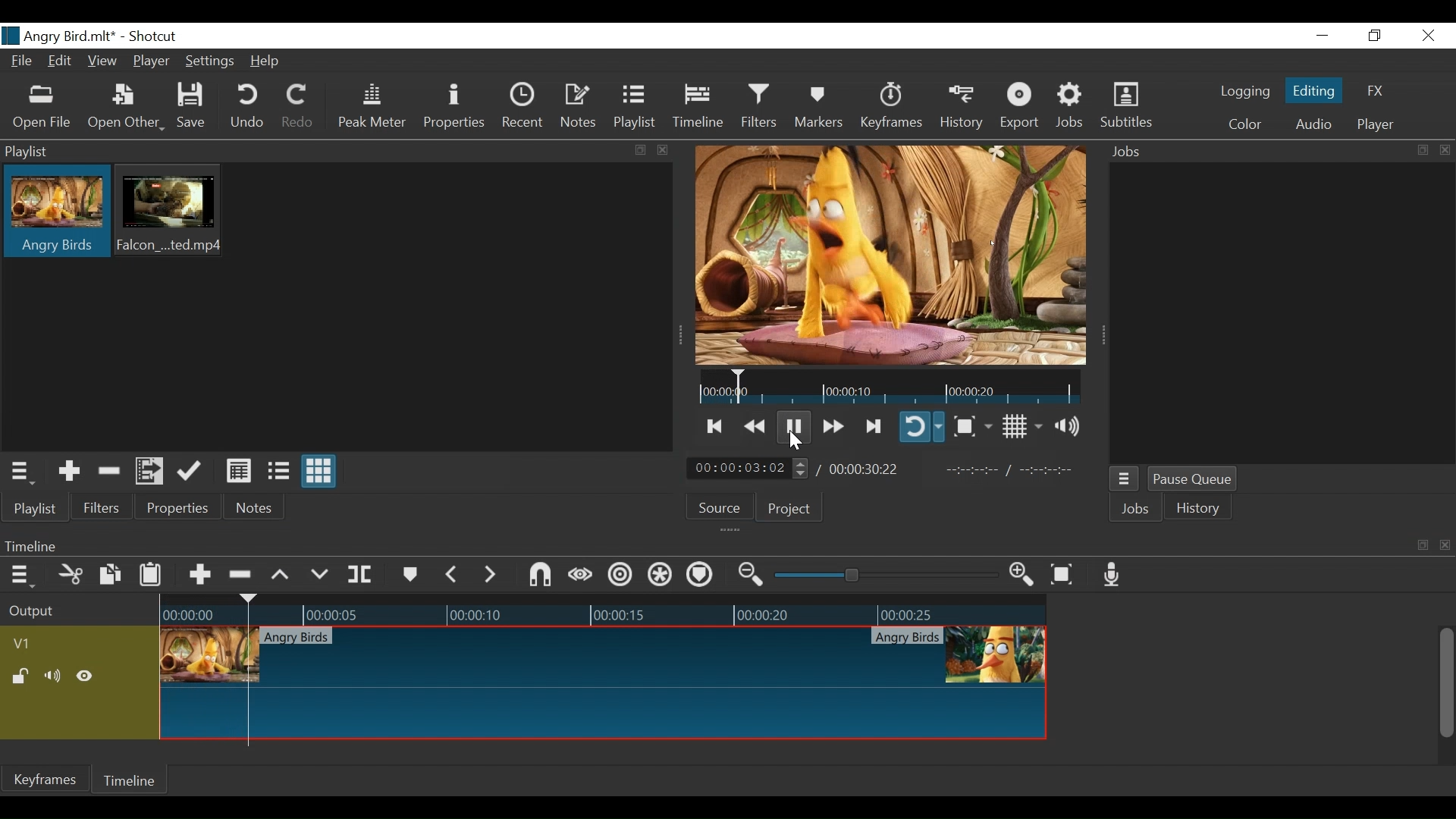  What do you see at coordinates (1448, 682) in the screenshot?
I see `Vertical Scroll bar` at bounding box center [1448, 682].